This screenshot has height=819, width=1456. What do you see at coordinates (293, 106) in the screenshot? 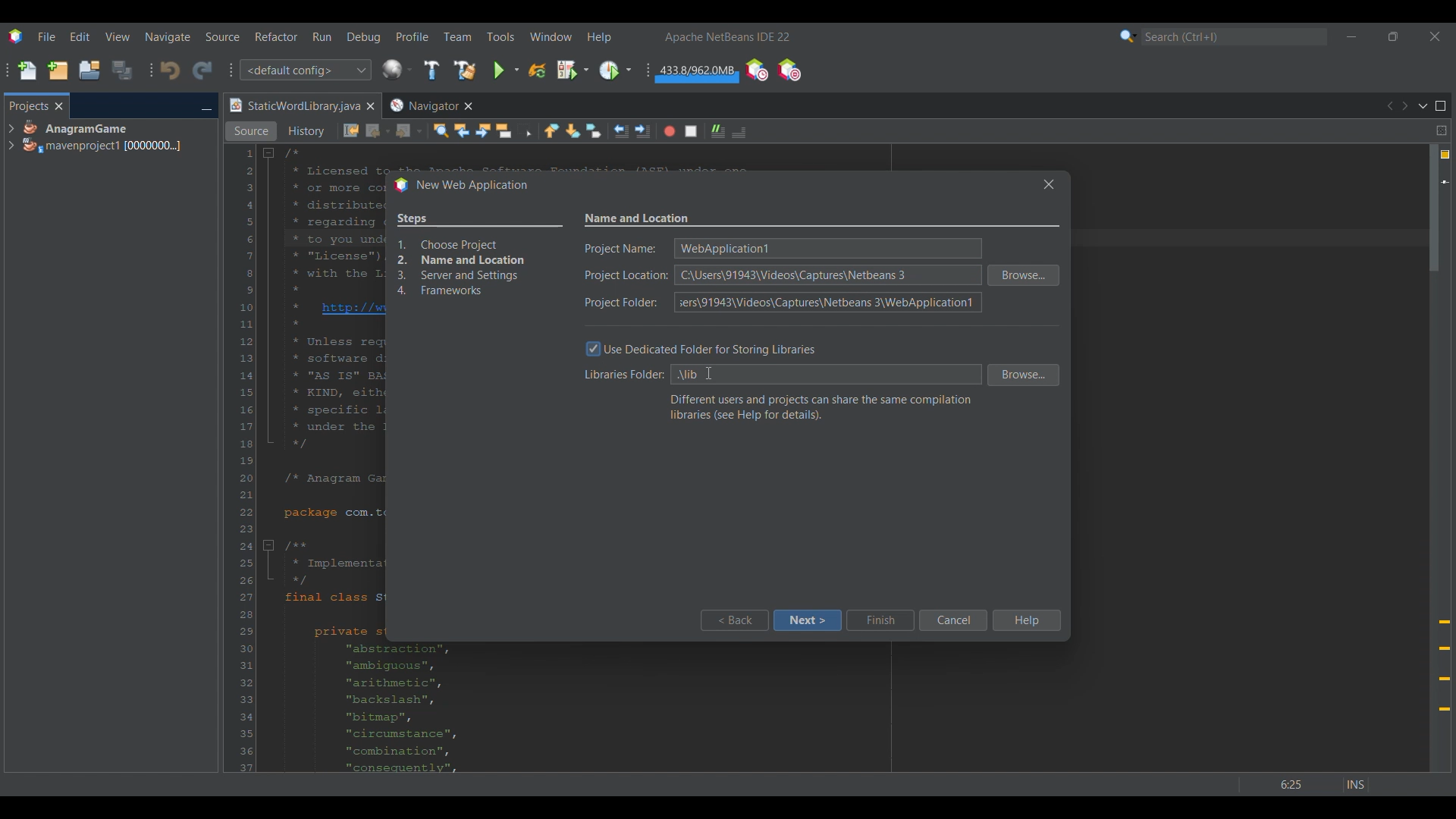
I see `Current tab highlighted` at bounding box center [293, 106].